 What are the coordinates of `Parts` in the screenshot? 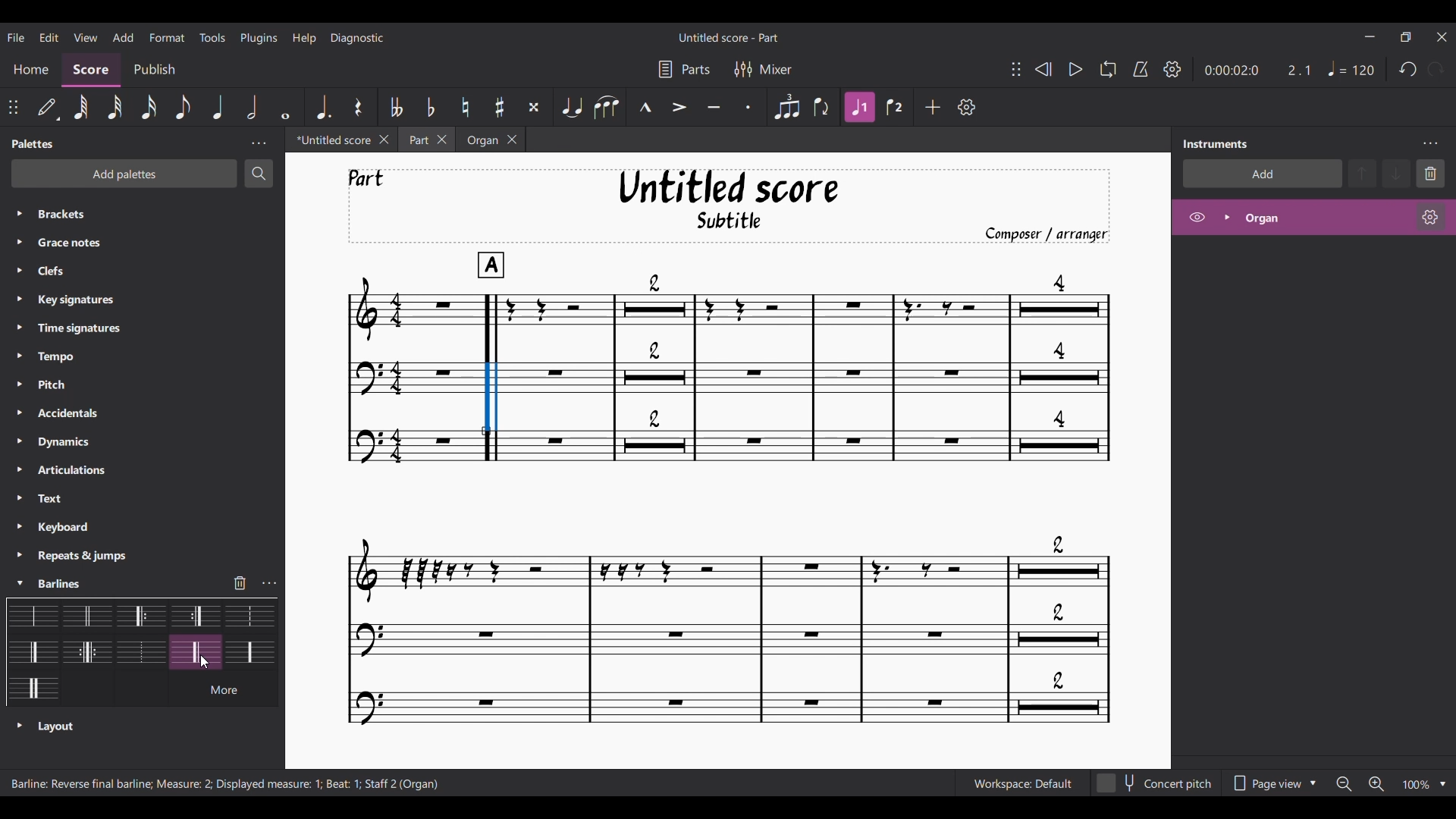 It's located at (685, 70).